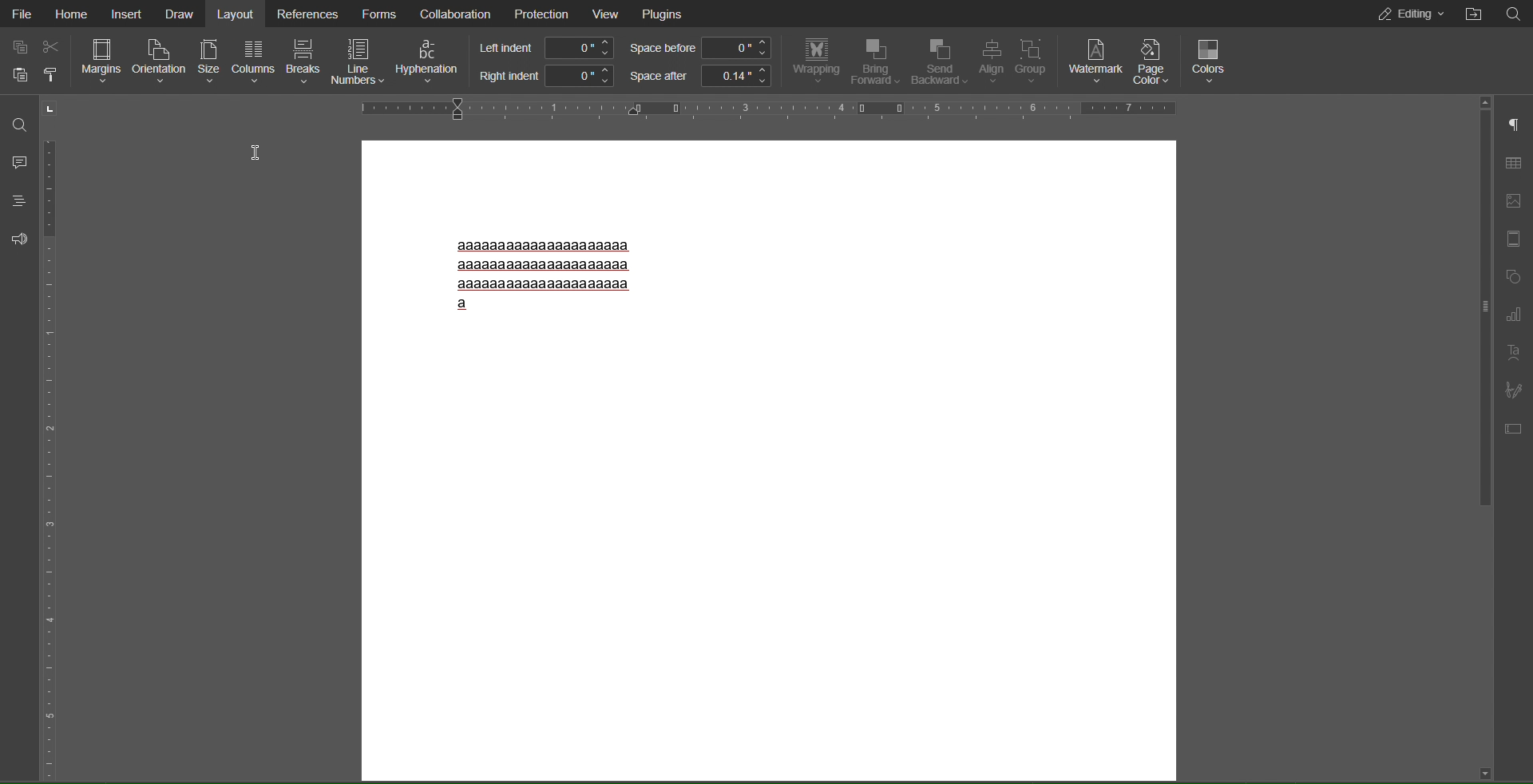  I want to click on Paragraph Settings, so click(1514, 126).